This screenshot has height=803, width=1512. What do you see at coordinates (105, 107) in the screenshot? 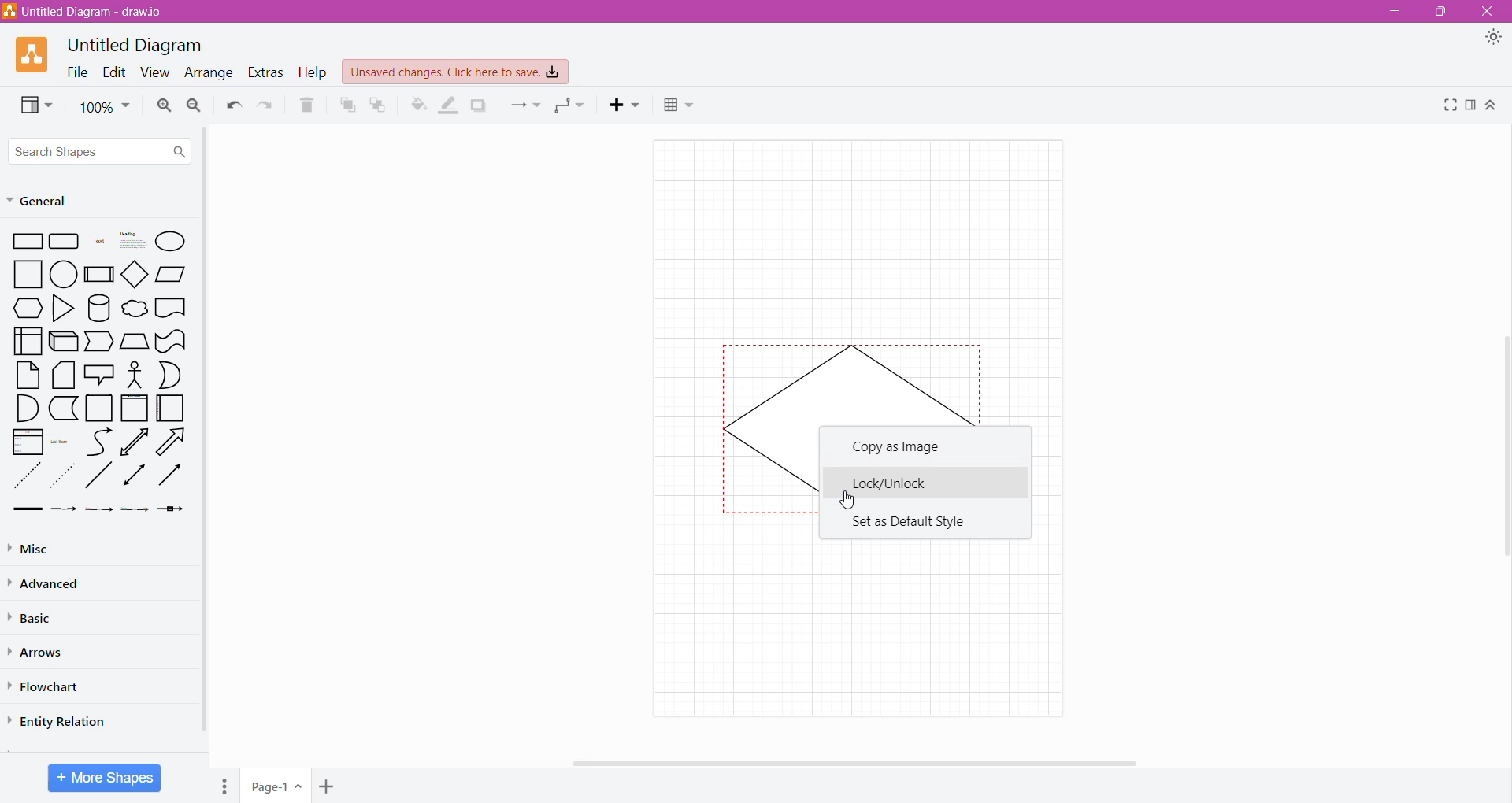
I see `Zoom 100%` at bounding box center [105, 107].